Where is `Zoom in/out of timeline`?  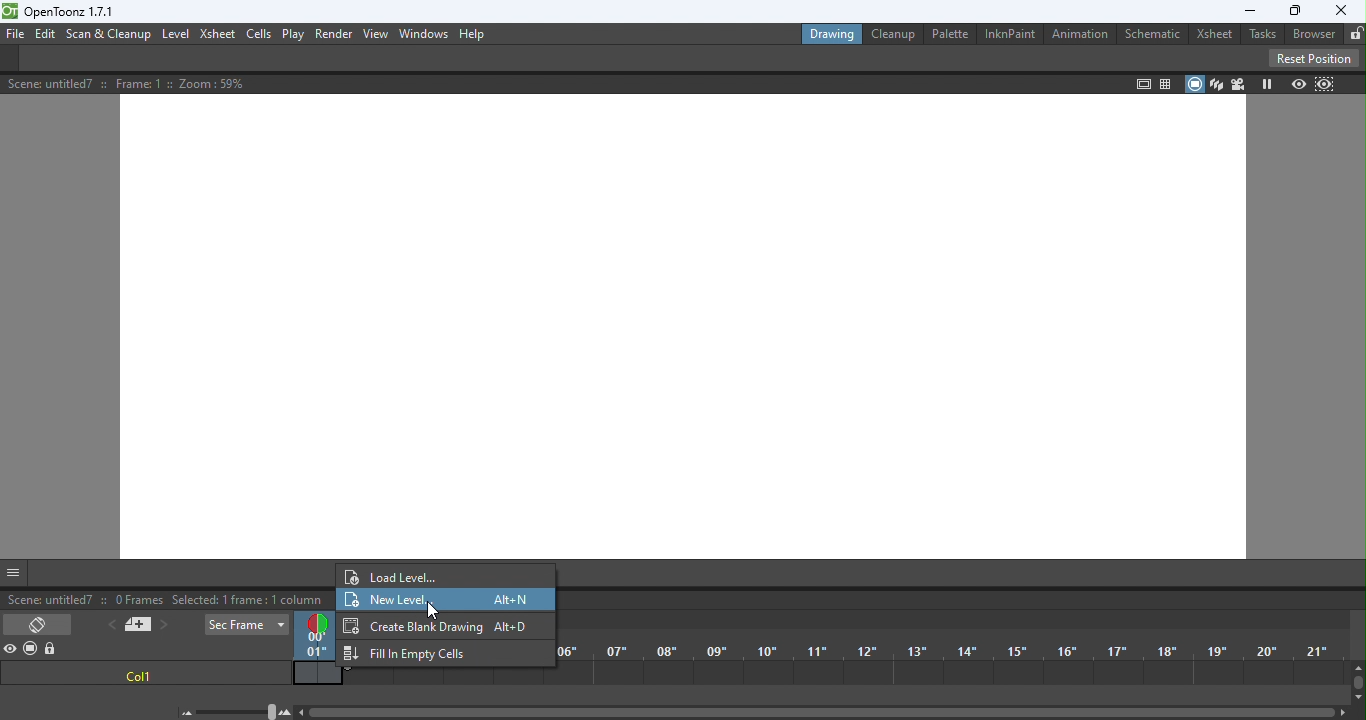 Zoom in/out of timeline is located at coordinates (236, 712).